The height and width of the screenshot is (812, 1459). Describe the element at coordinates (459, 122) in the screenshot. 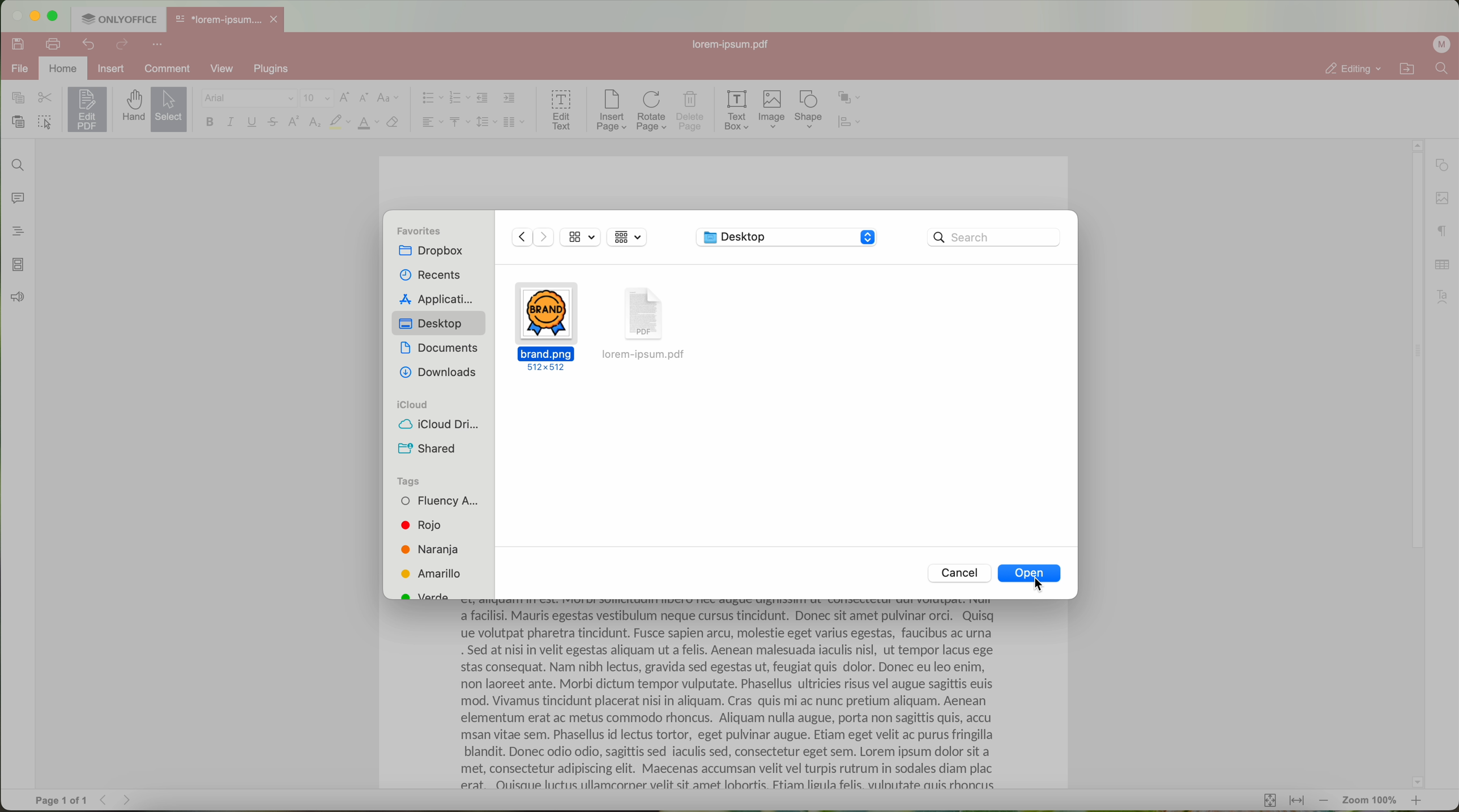

I see `vertical align` at that location.